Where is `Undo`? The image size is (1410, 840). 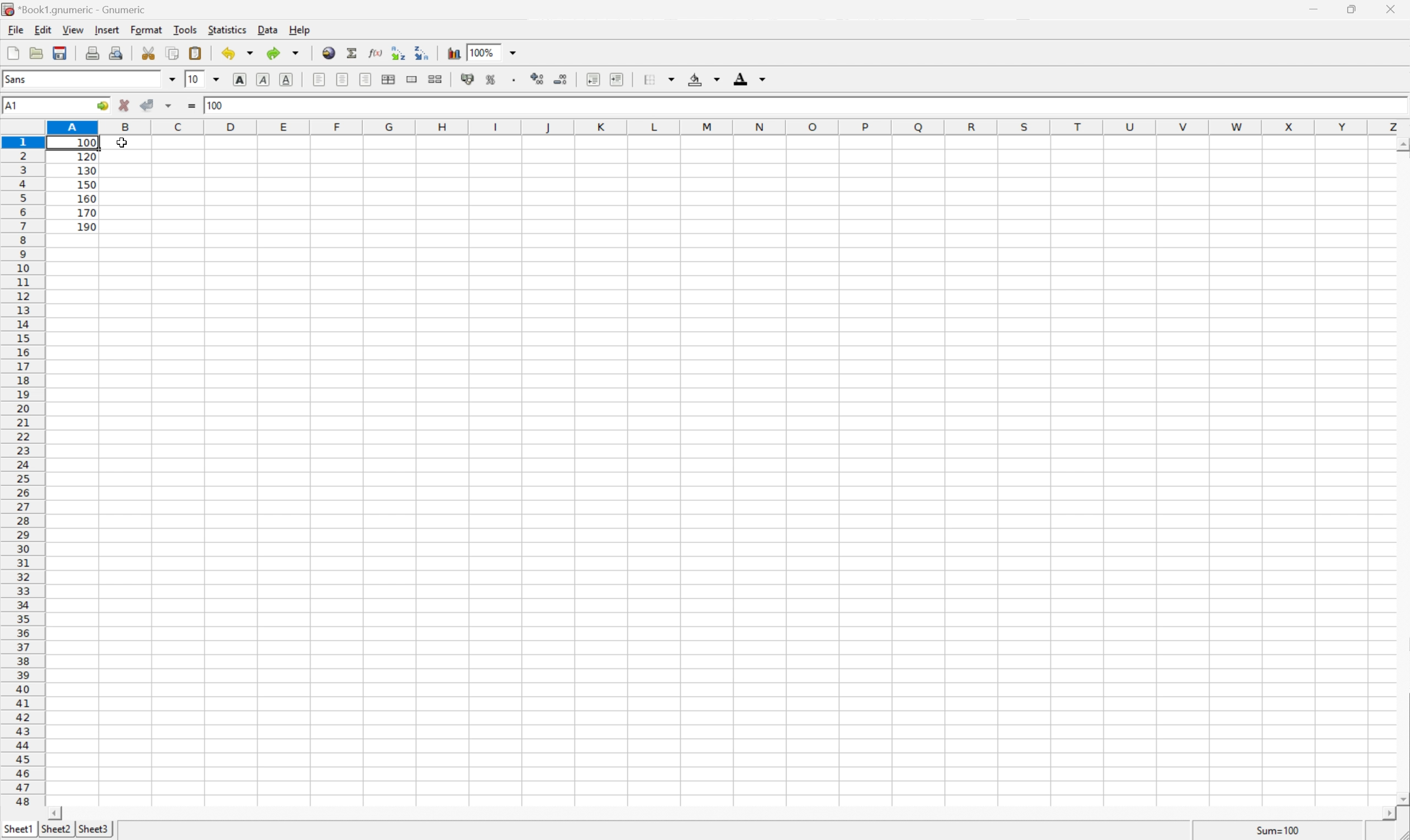
Undo is located at coordinates (236, 53).